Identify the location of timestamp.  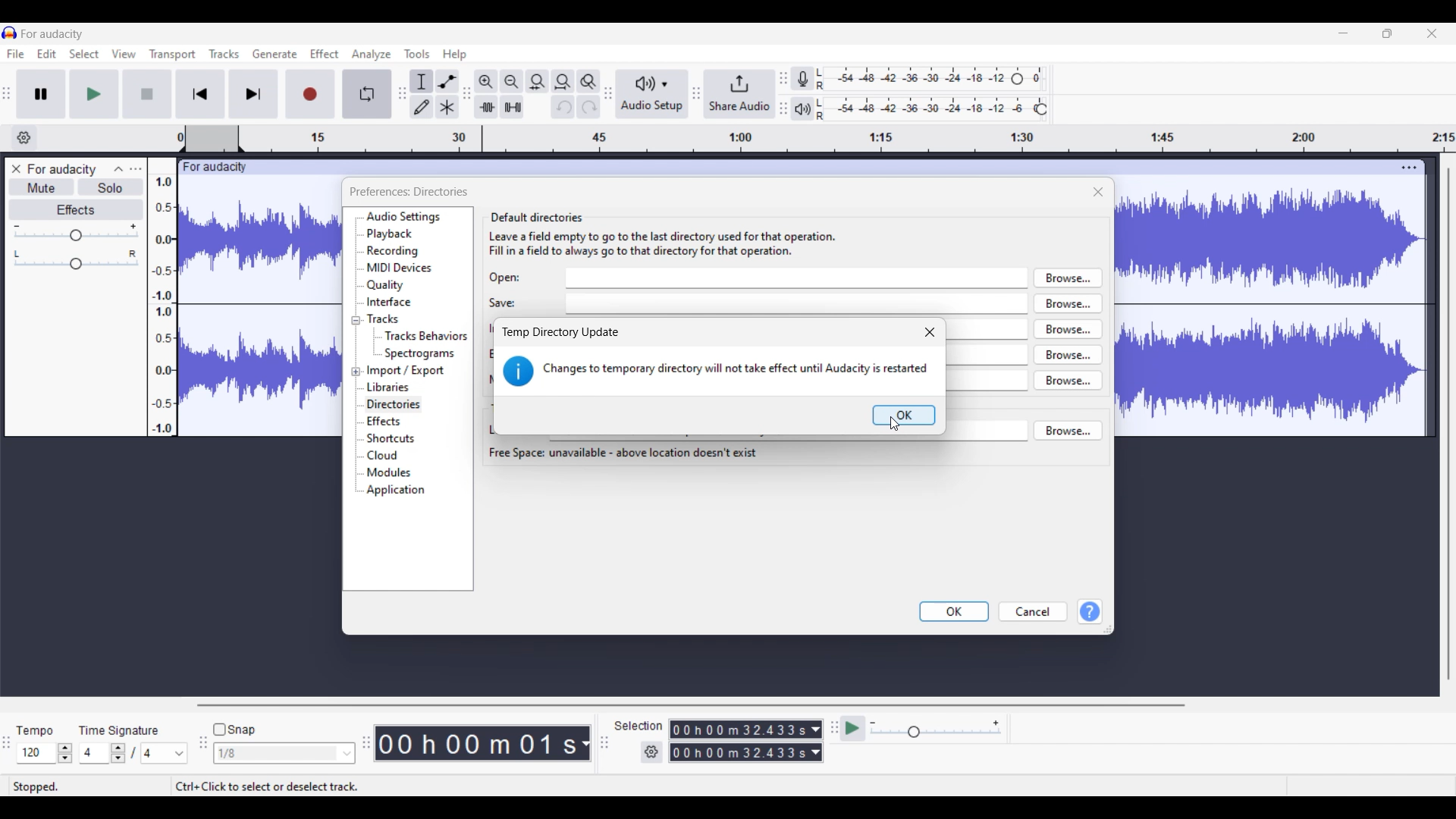
(817, 139).